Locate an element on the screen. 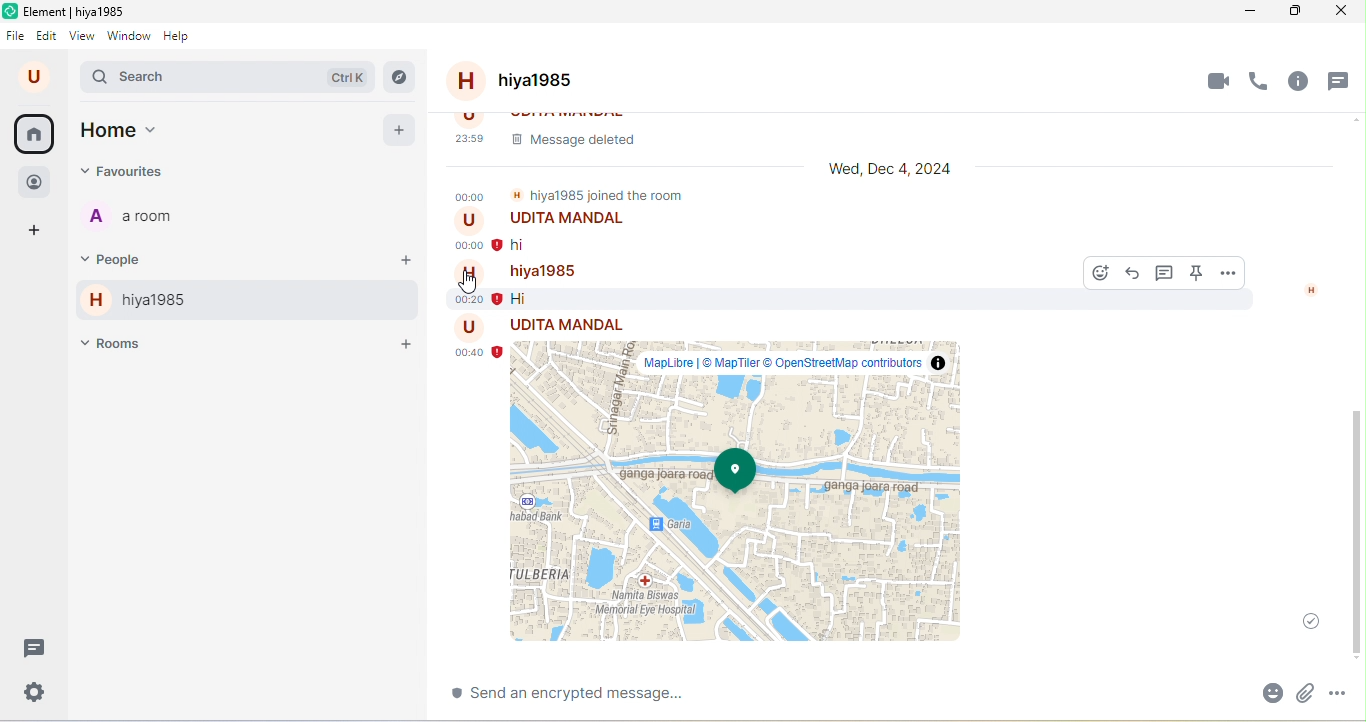  start chat is located at coordinates (406, 260).